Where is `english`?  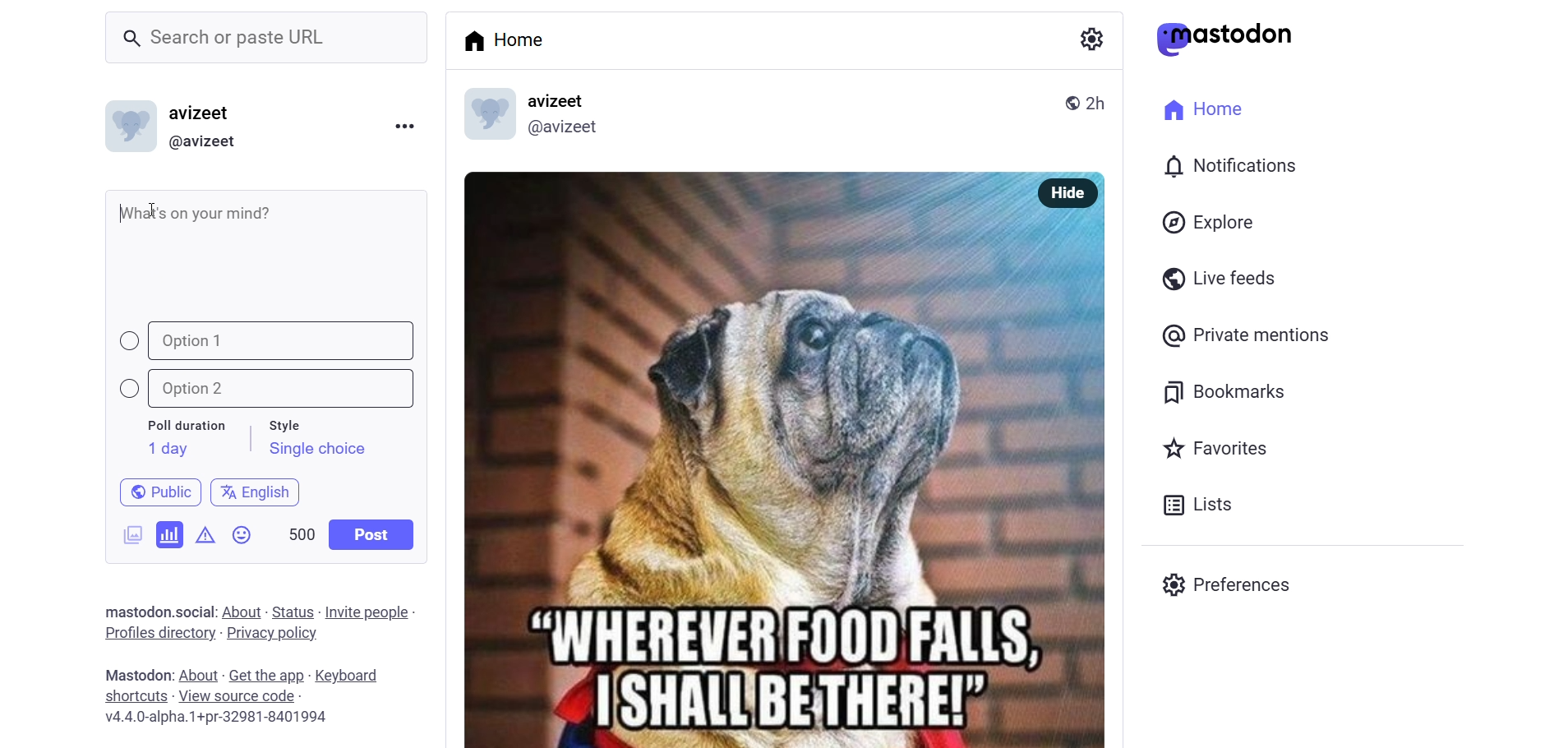 english is located at coordinates (256, 489).